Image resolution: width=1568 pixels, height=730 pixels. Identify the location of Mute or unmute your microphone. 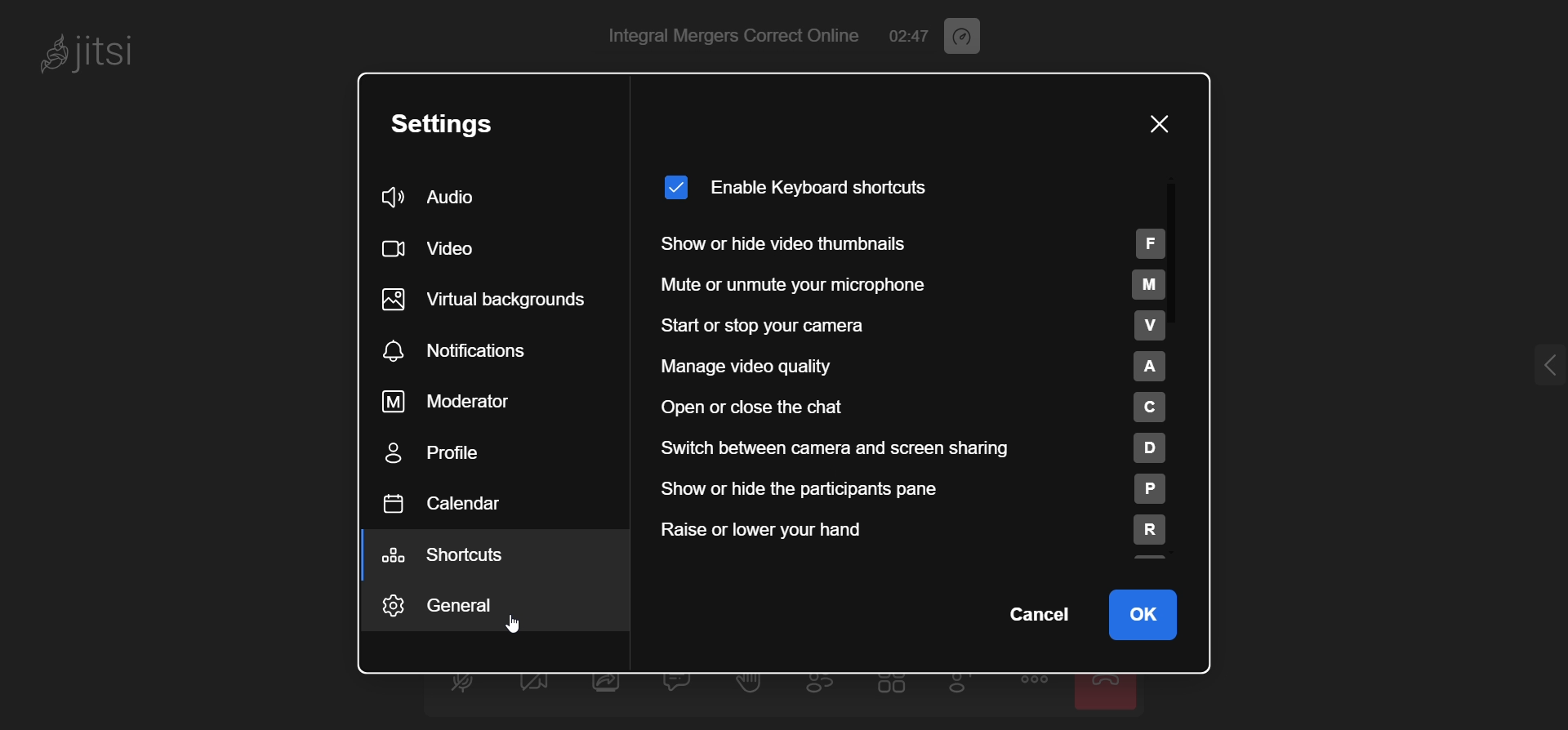
(935, 284).